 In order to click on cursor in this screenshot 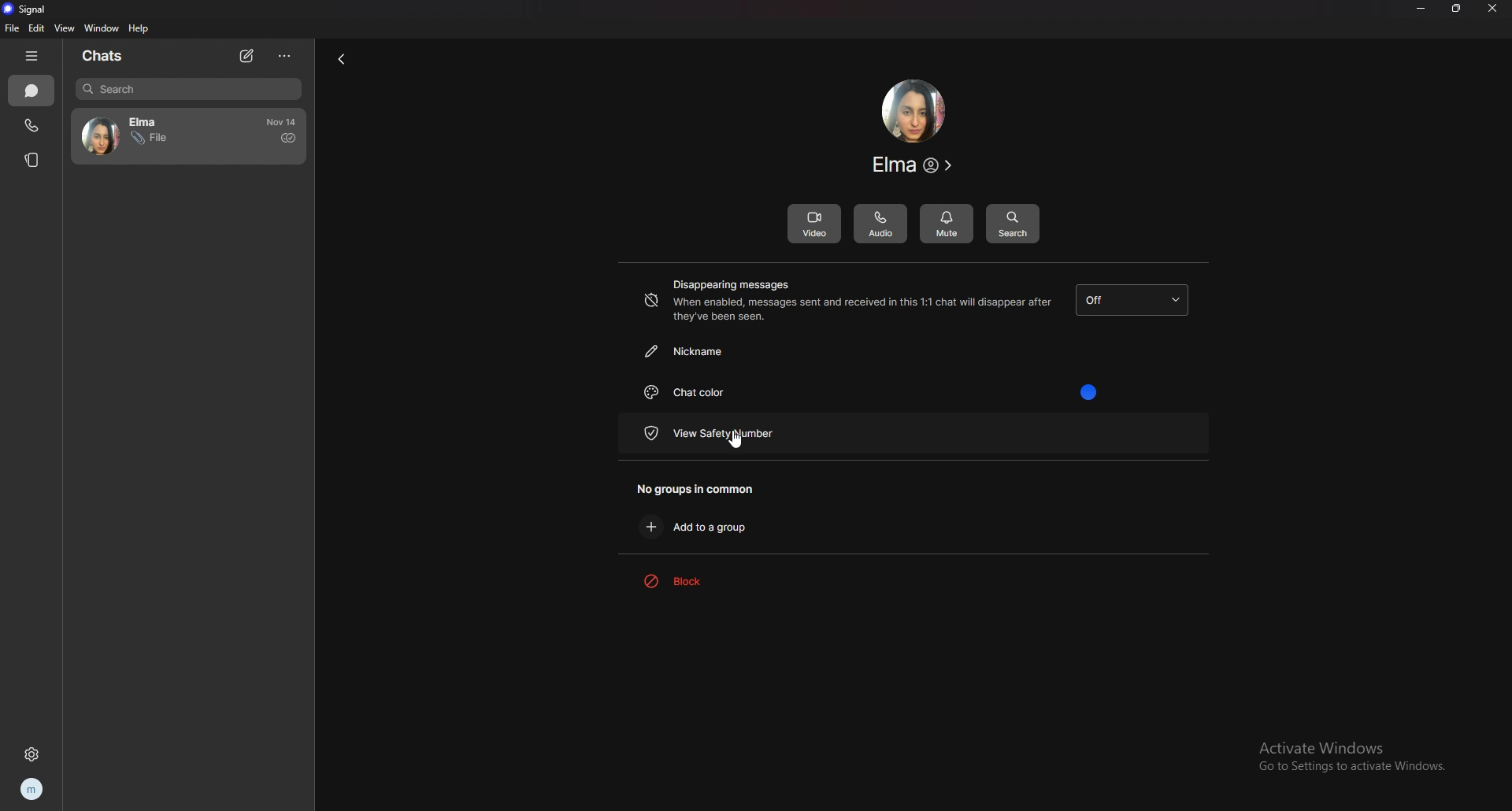, I will do `click(733, 438)`.